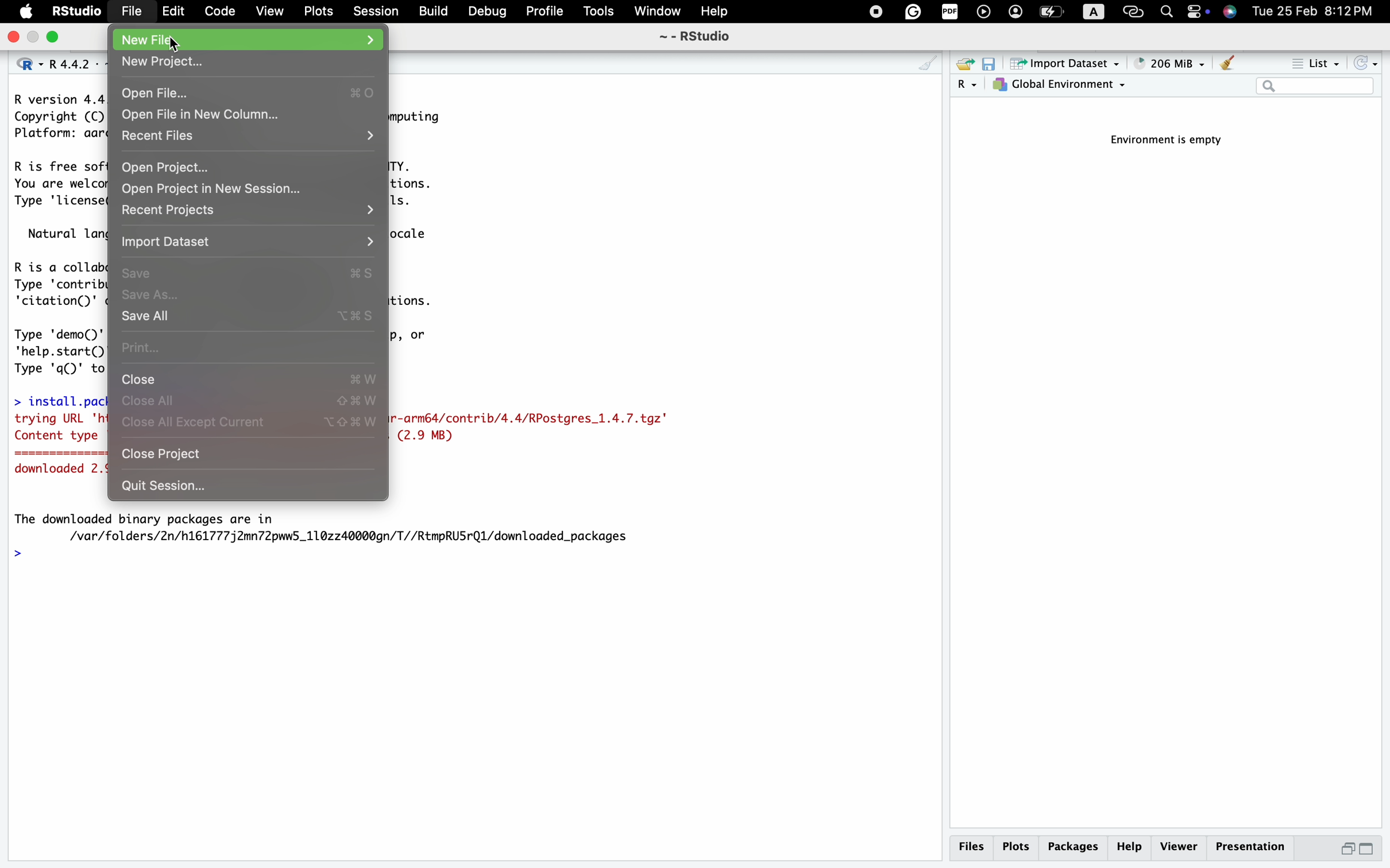  What do you see at coordinates (57, 38) in the screenshot?
I see `maximize` at bounding box center [57, 38].